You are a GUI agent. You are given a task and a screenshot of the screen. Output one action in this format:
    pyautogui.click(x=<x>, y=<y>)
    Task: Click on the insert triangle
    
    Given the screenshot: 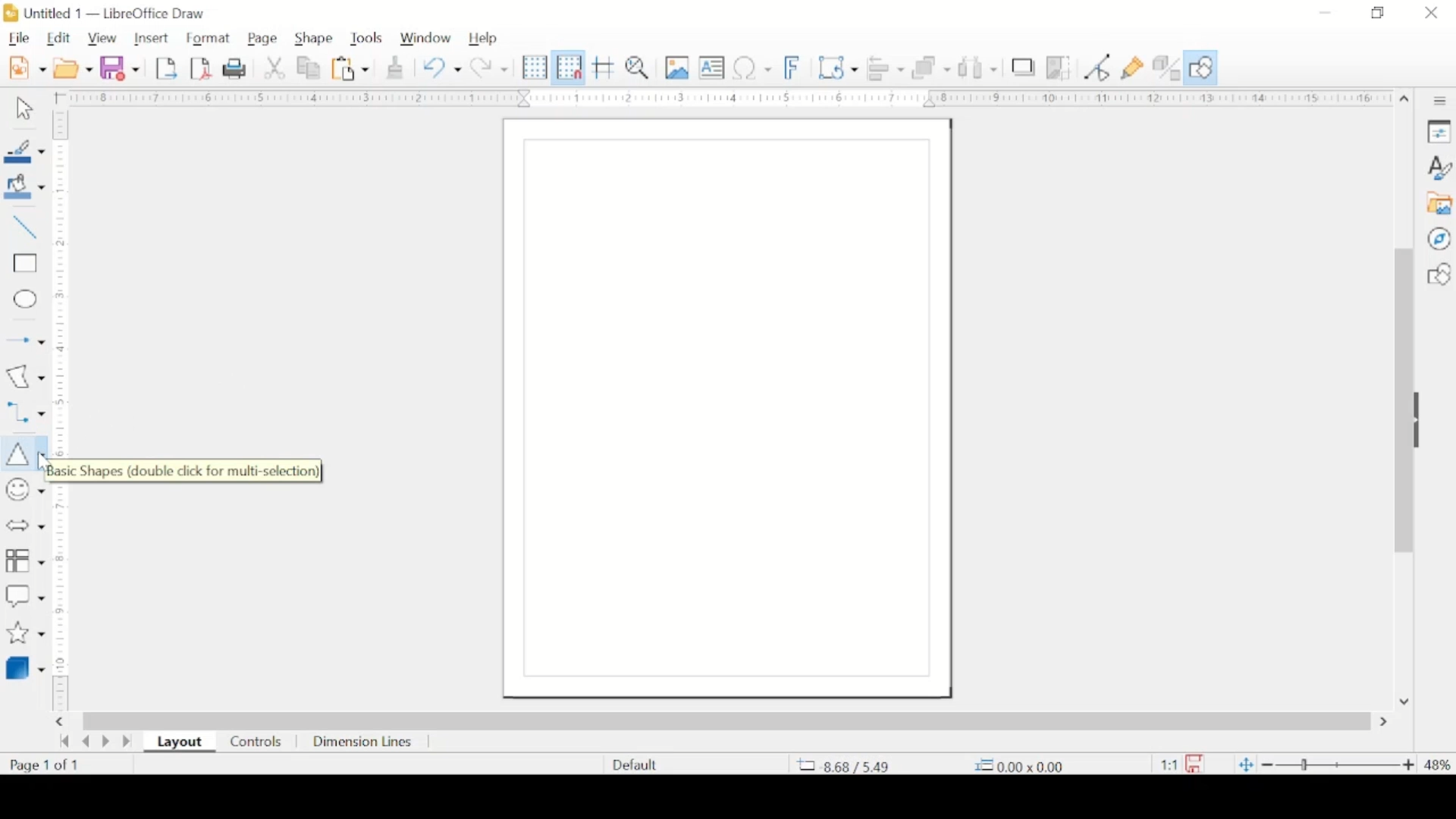 What is the action you would take?
    pyautogui.click(x=22, y=452)
    